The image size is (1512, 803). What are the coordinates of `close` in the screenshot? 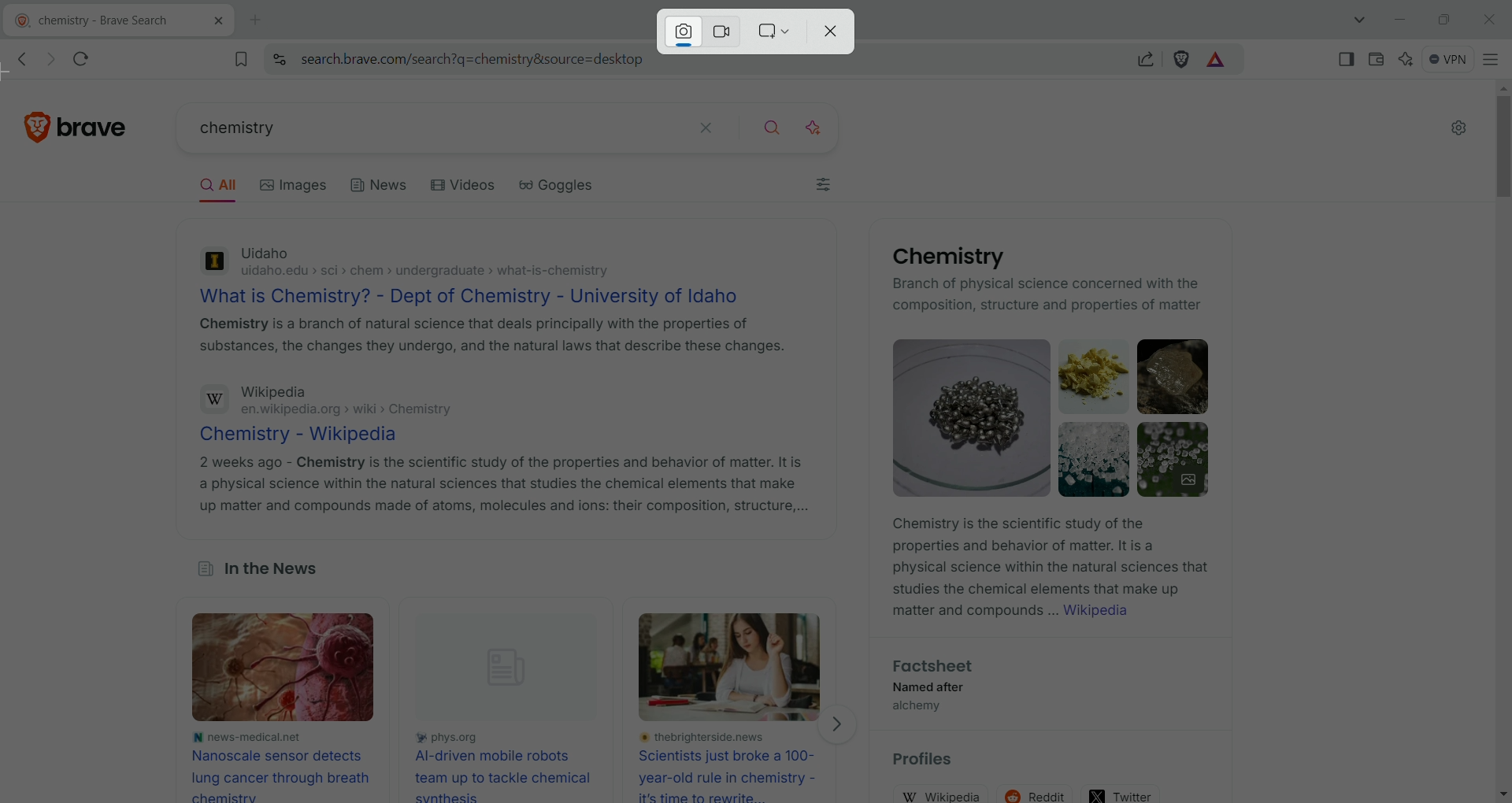 It's located at (1488, 18).